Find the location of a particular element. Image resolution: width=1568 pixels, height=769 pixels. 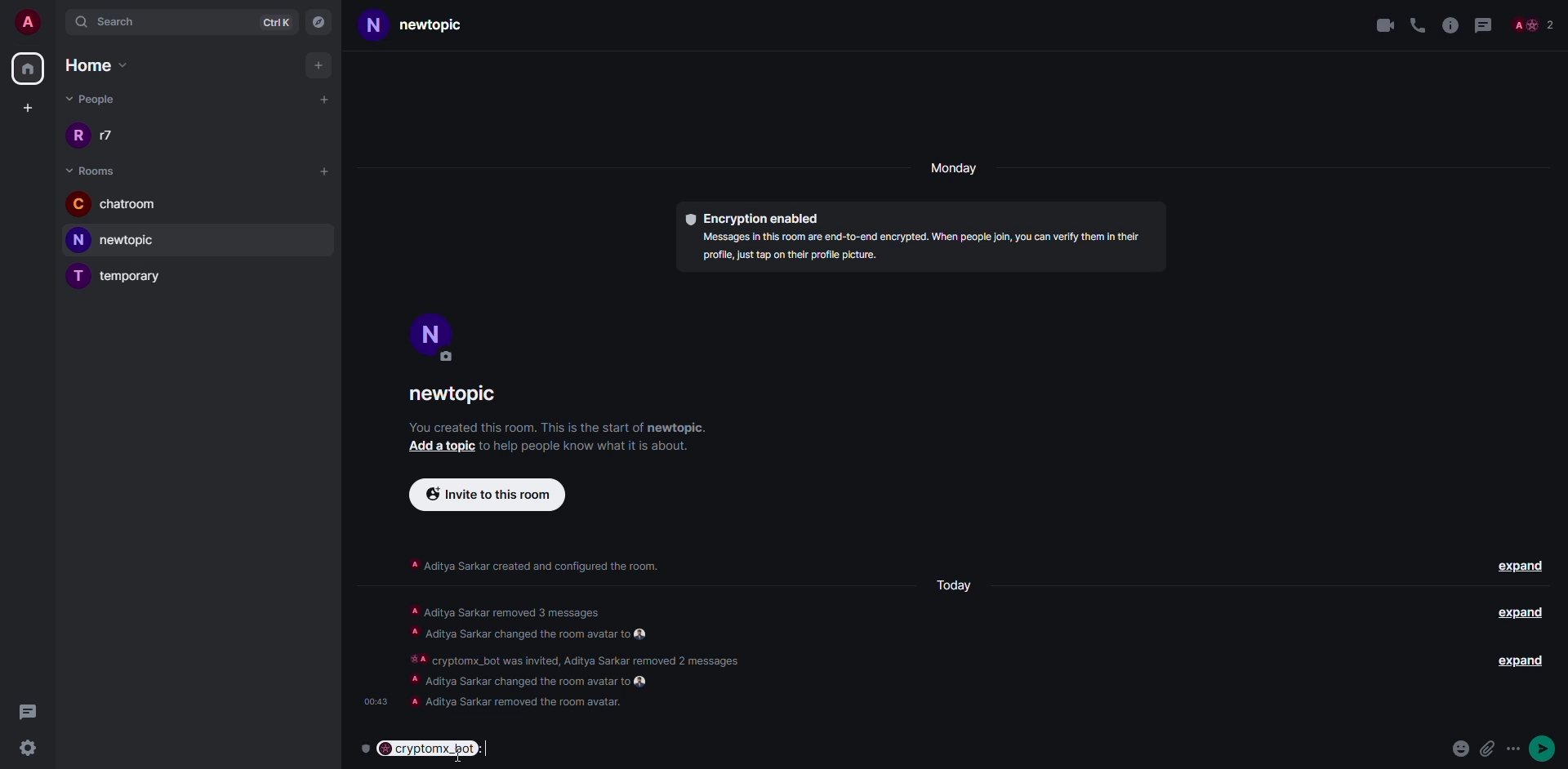

r7 is located at coordinates (99, 137).